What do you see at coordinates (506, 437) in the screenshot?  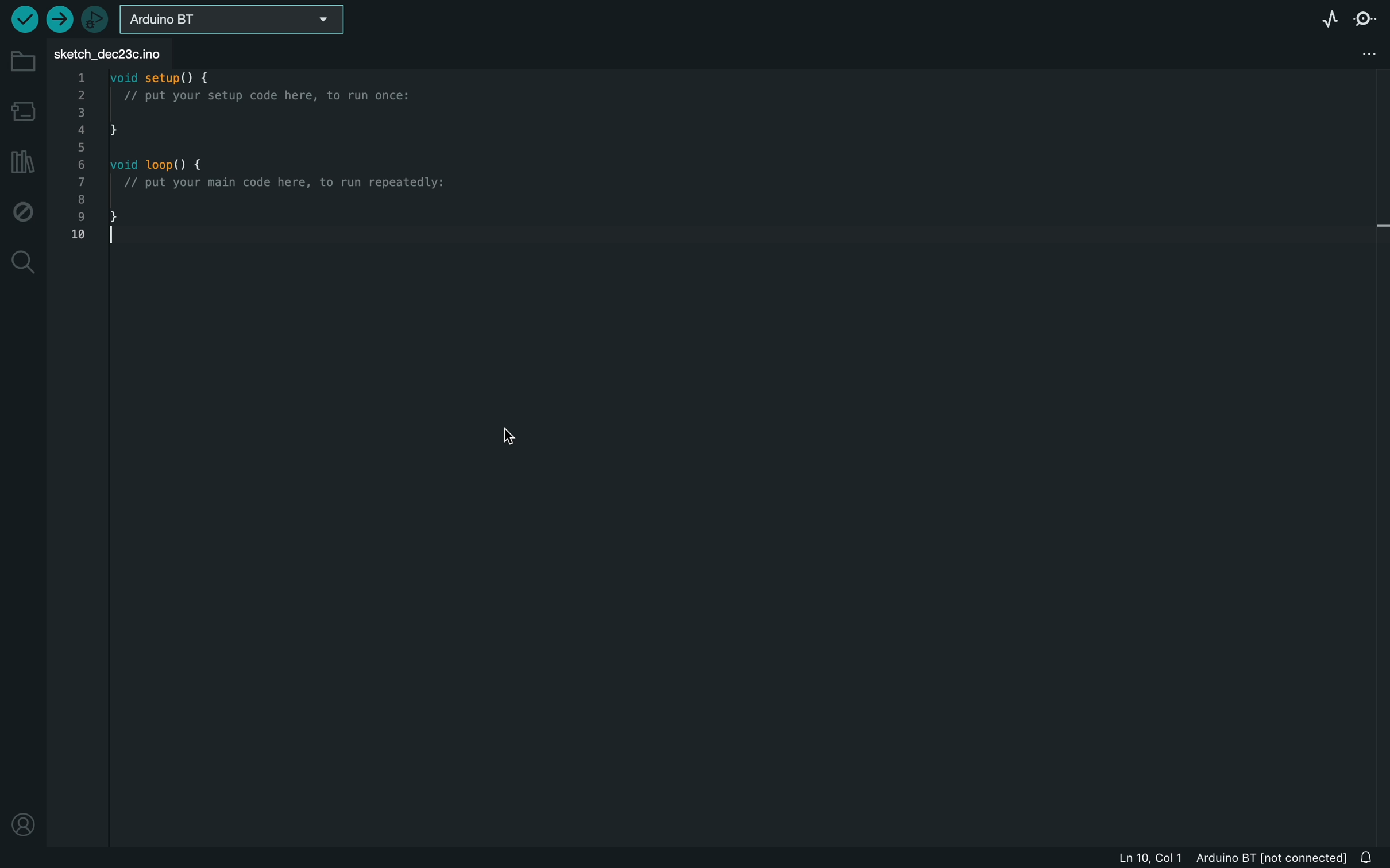 I see `cursor` at bounding box center [506, 437].